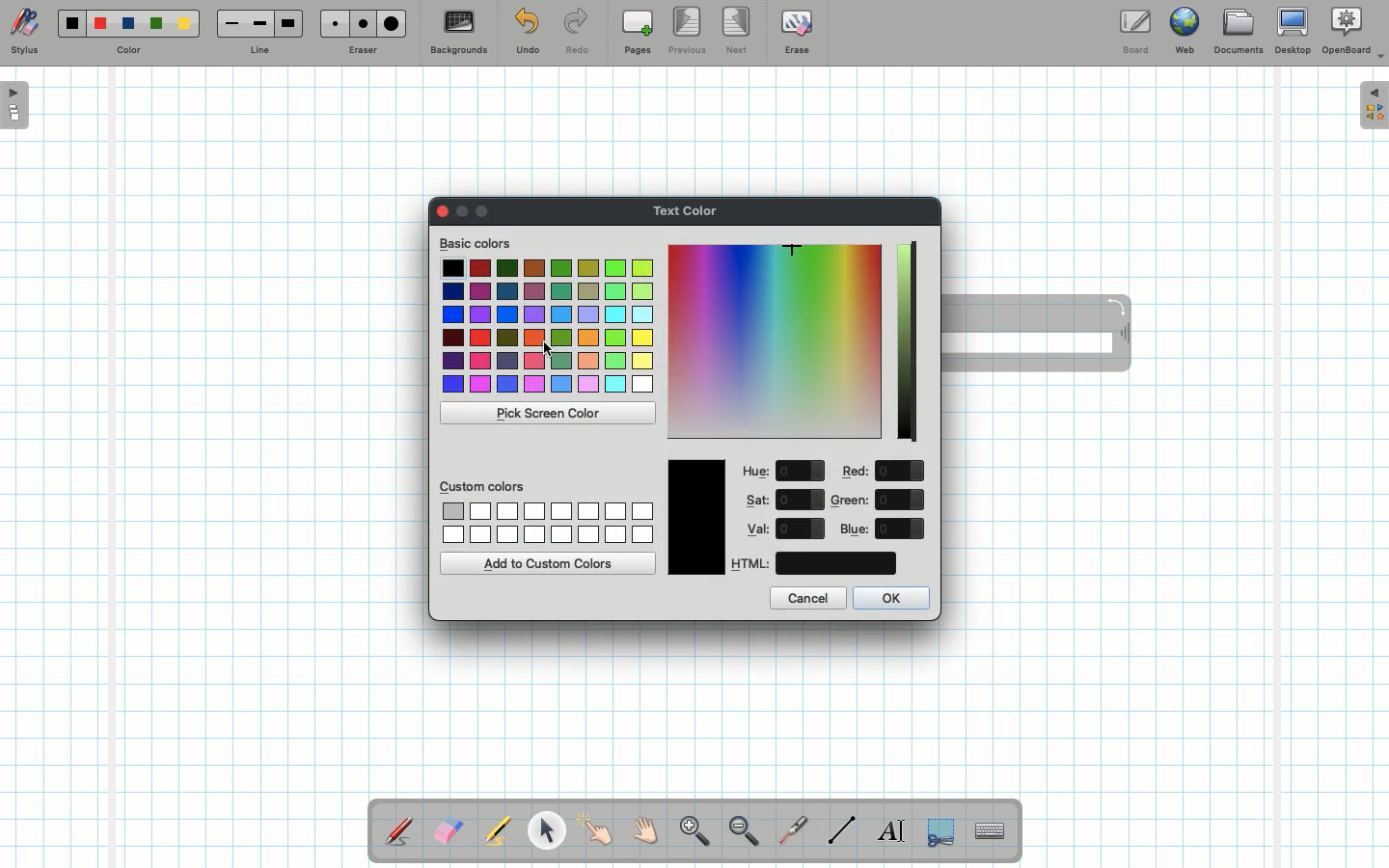  What do you see at coordinates (400, 830) in the screenshot?
I see `Stylus` at bounding box center [400, 830].